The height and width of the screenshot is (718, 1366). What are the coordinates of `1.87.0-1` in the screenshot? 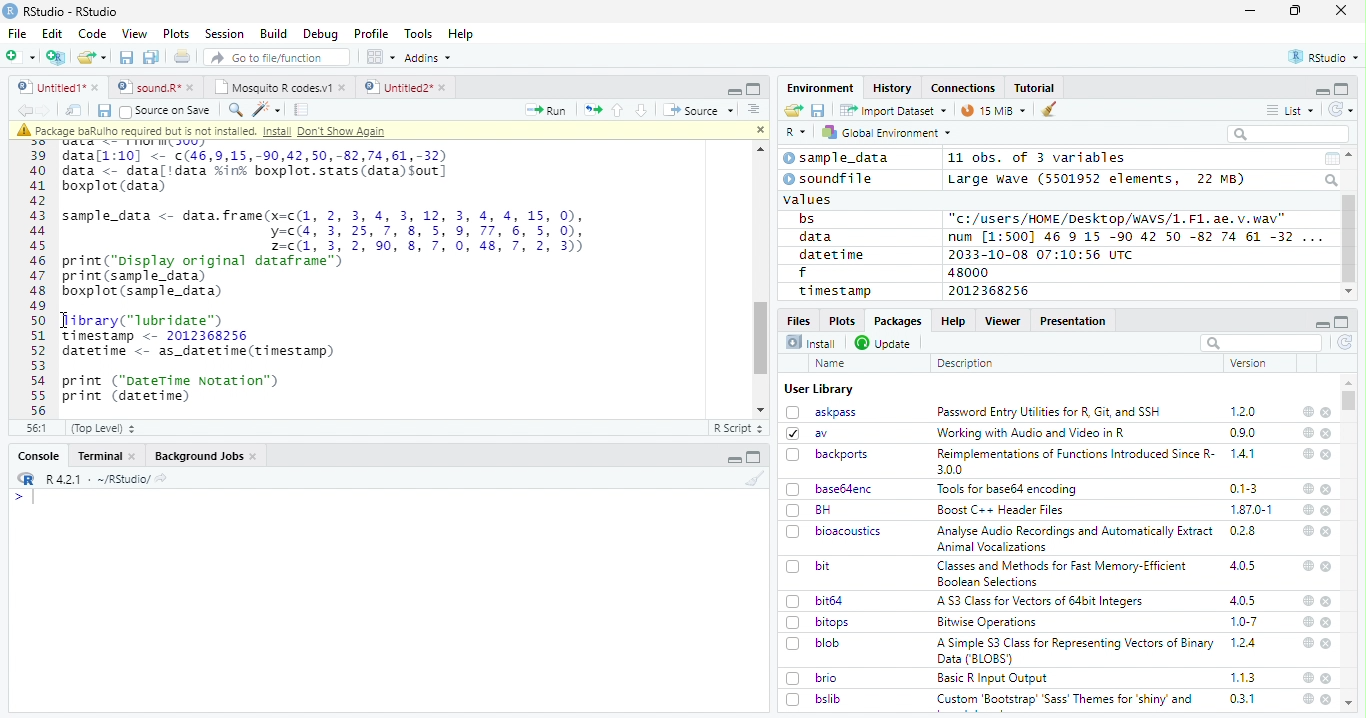 It's located at (1251, 510).